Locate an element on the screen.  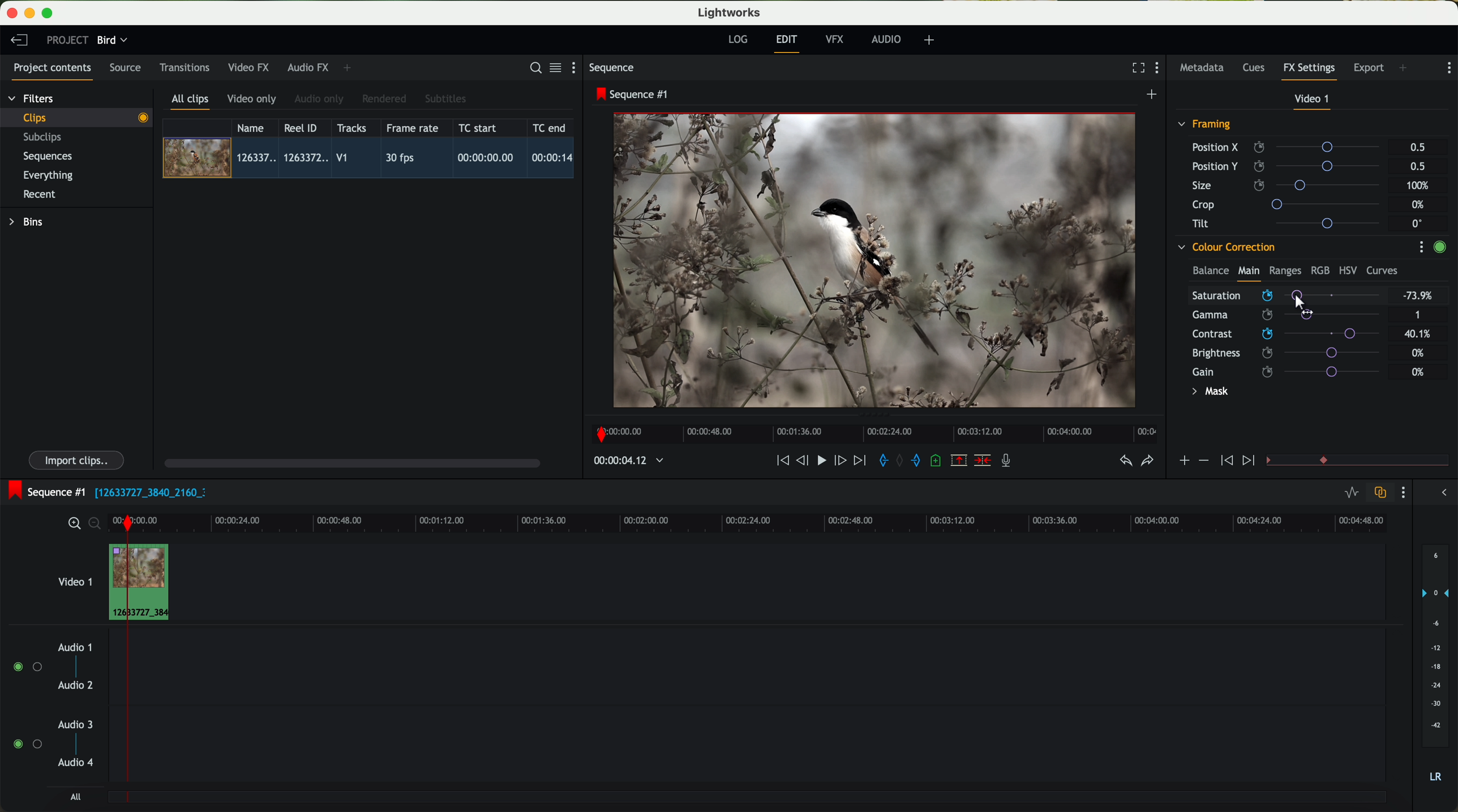
0.5 is located at coordinates (1417, 166).